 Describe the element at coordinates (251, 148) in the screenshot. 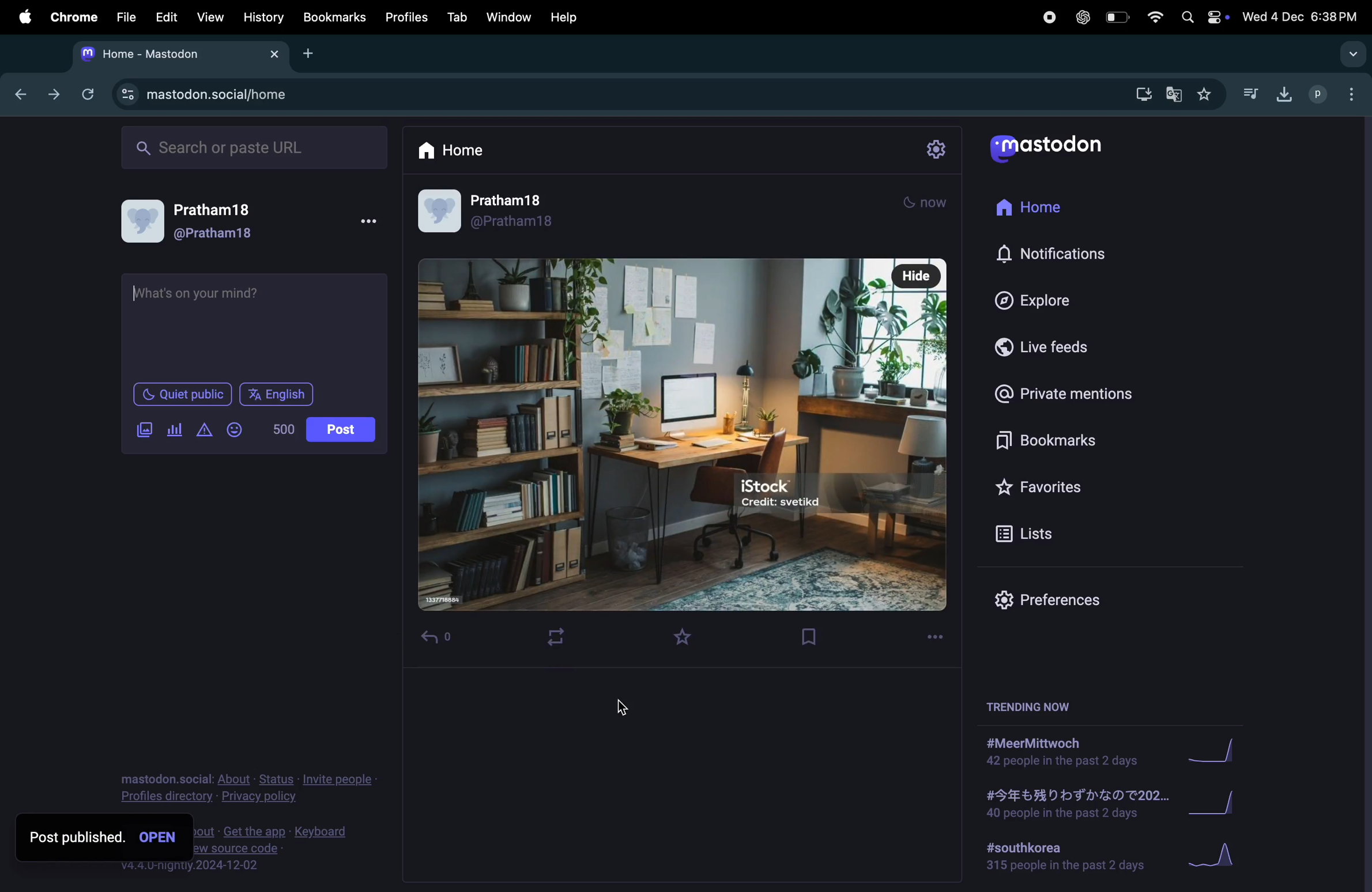

I see `search url` at that location.